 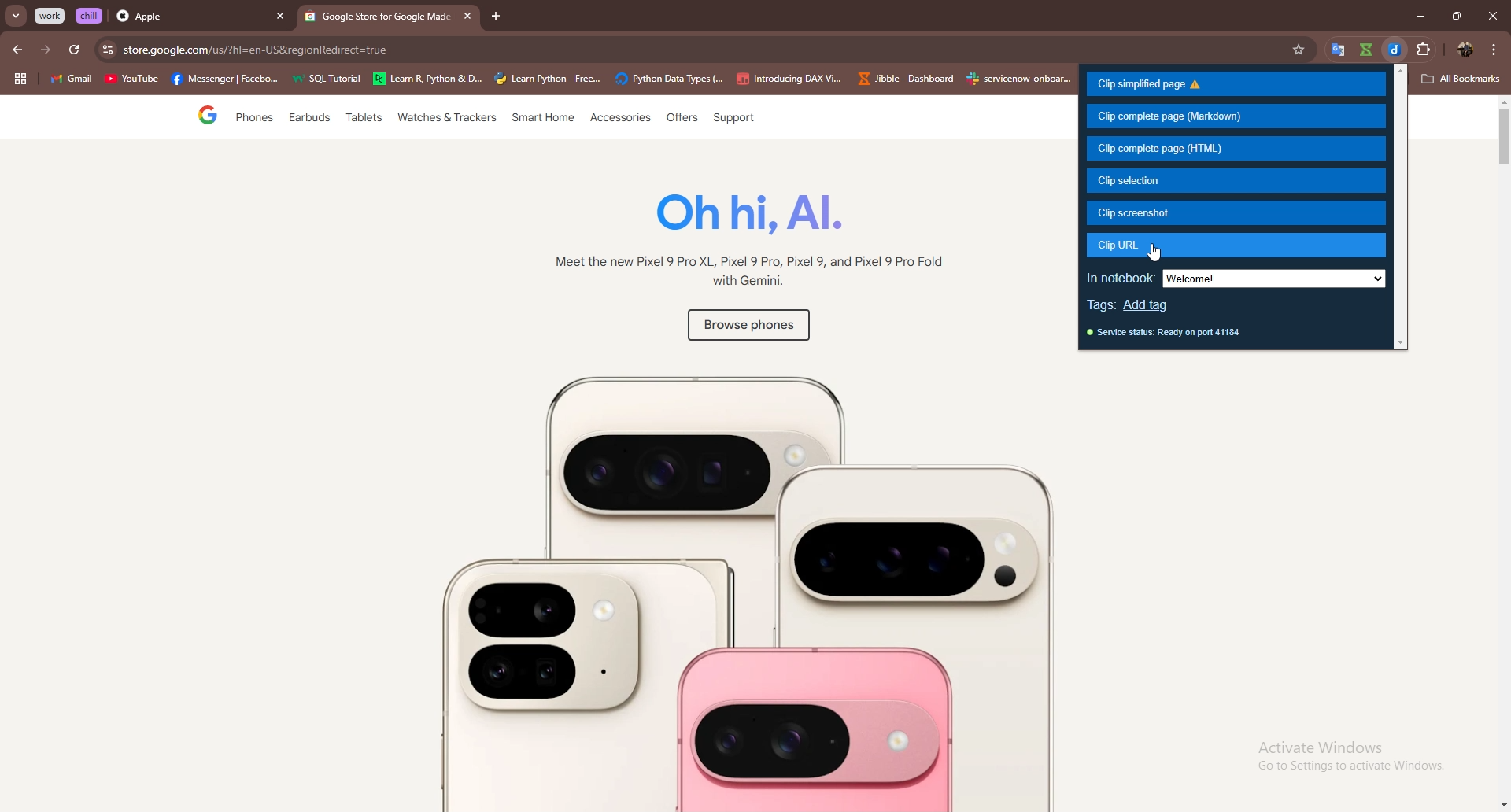 What do you see at coordinates (1335, 50) in the screenshot?
I see `google translate` at bounding box center [1335, 50].